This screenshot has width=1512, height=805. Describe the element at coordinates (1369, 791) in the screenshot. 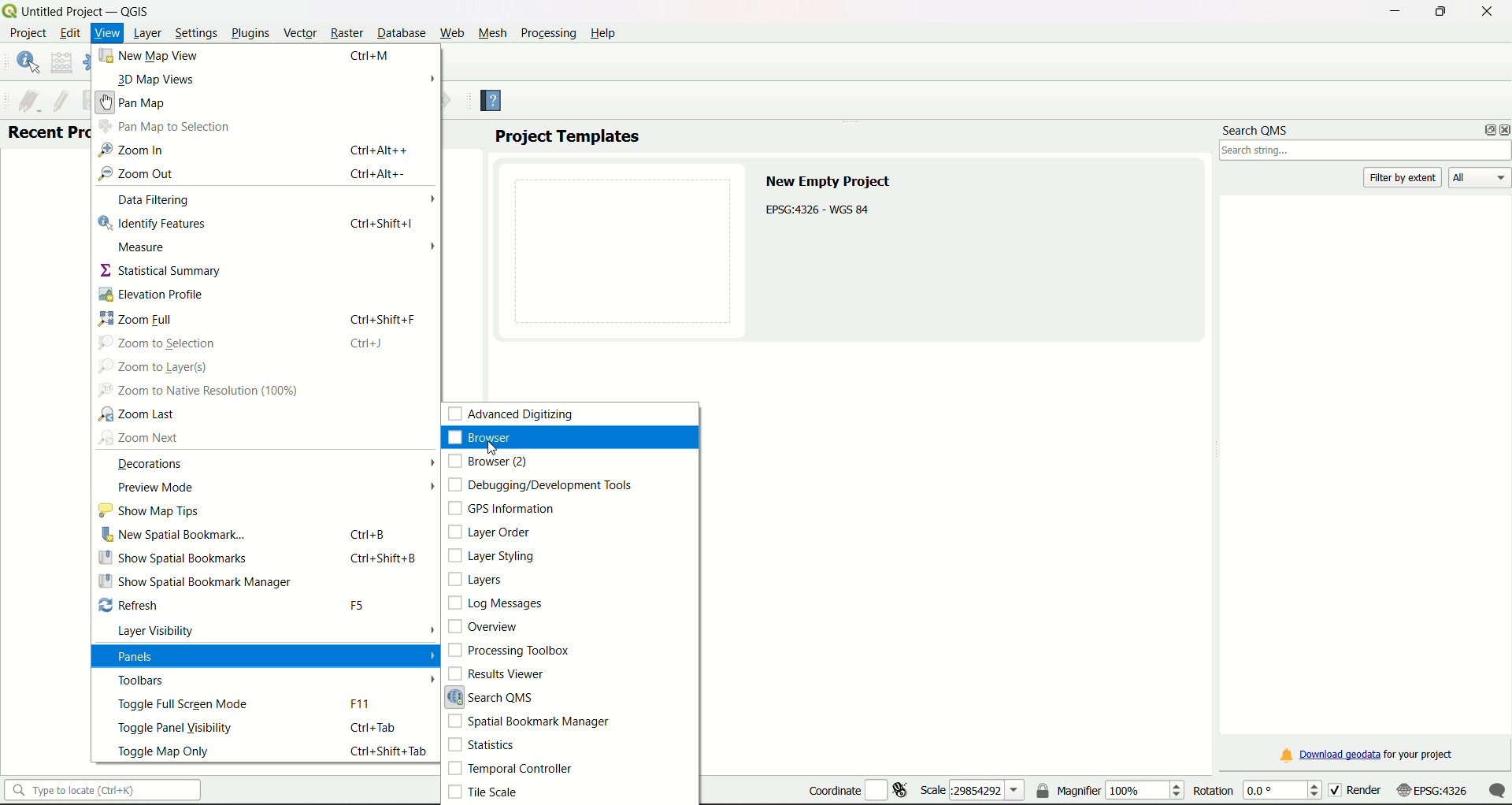

I see `render` at that location.